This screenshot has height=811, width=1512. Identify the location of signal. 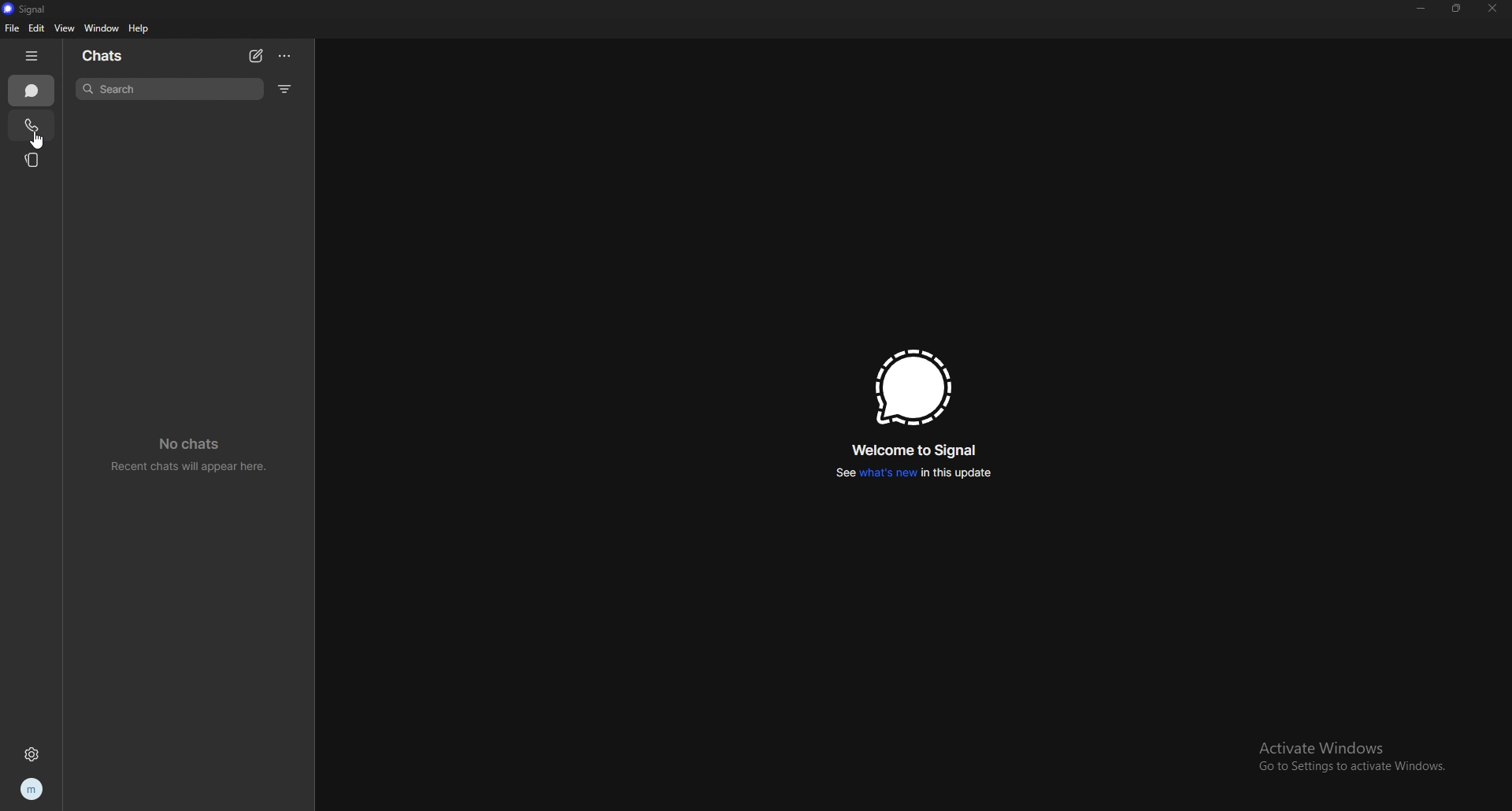
(914, 387).